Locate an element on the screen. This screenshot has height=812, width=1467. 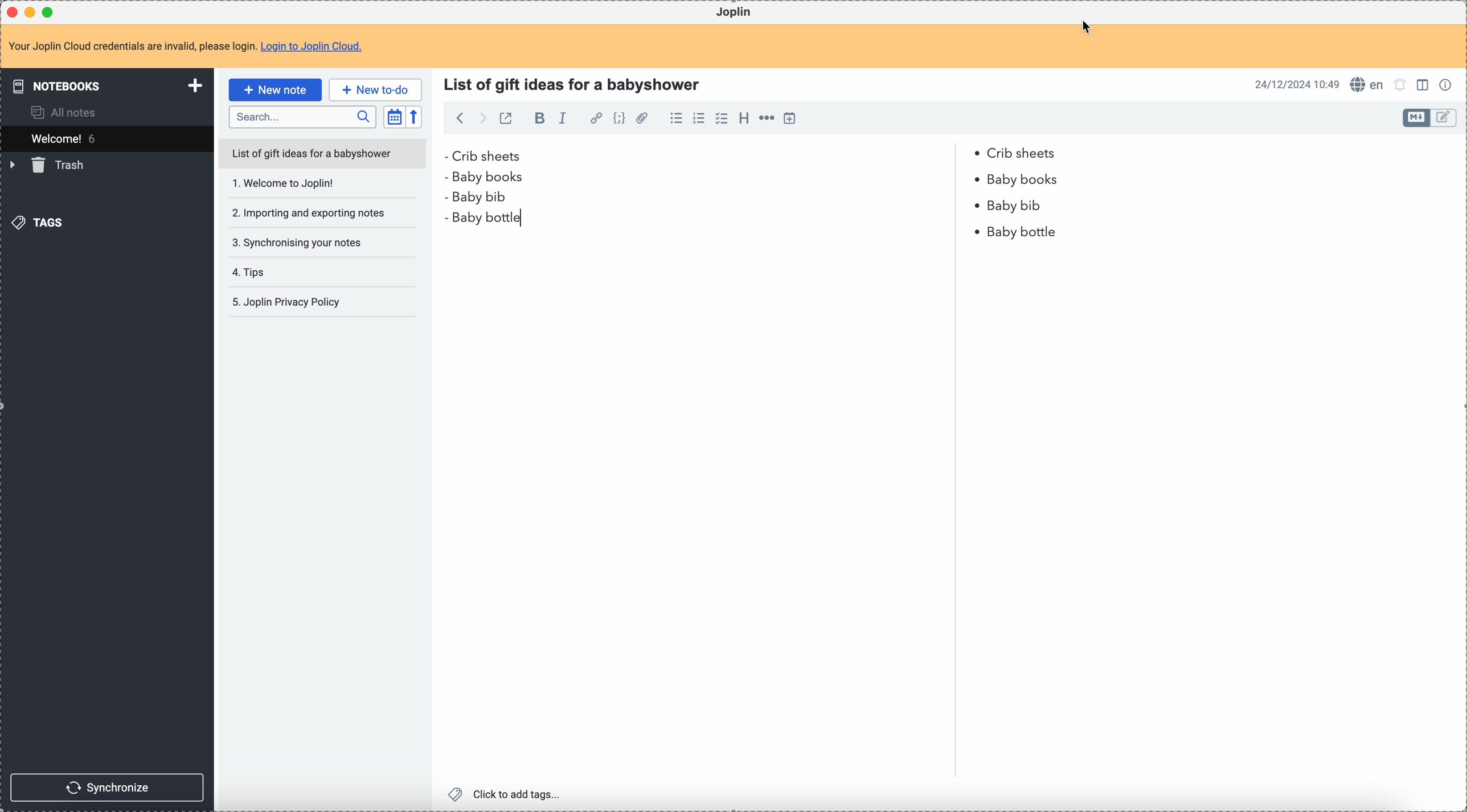
baby bib is located at coordinates (744, 200).